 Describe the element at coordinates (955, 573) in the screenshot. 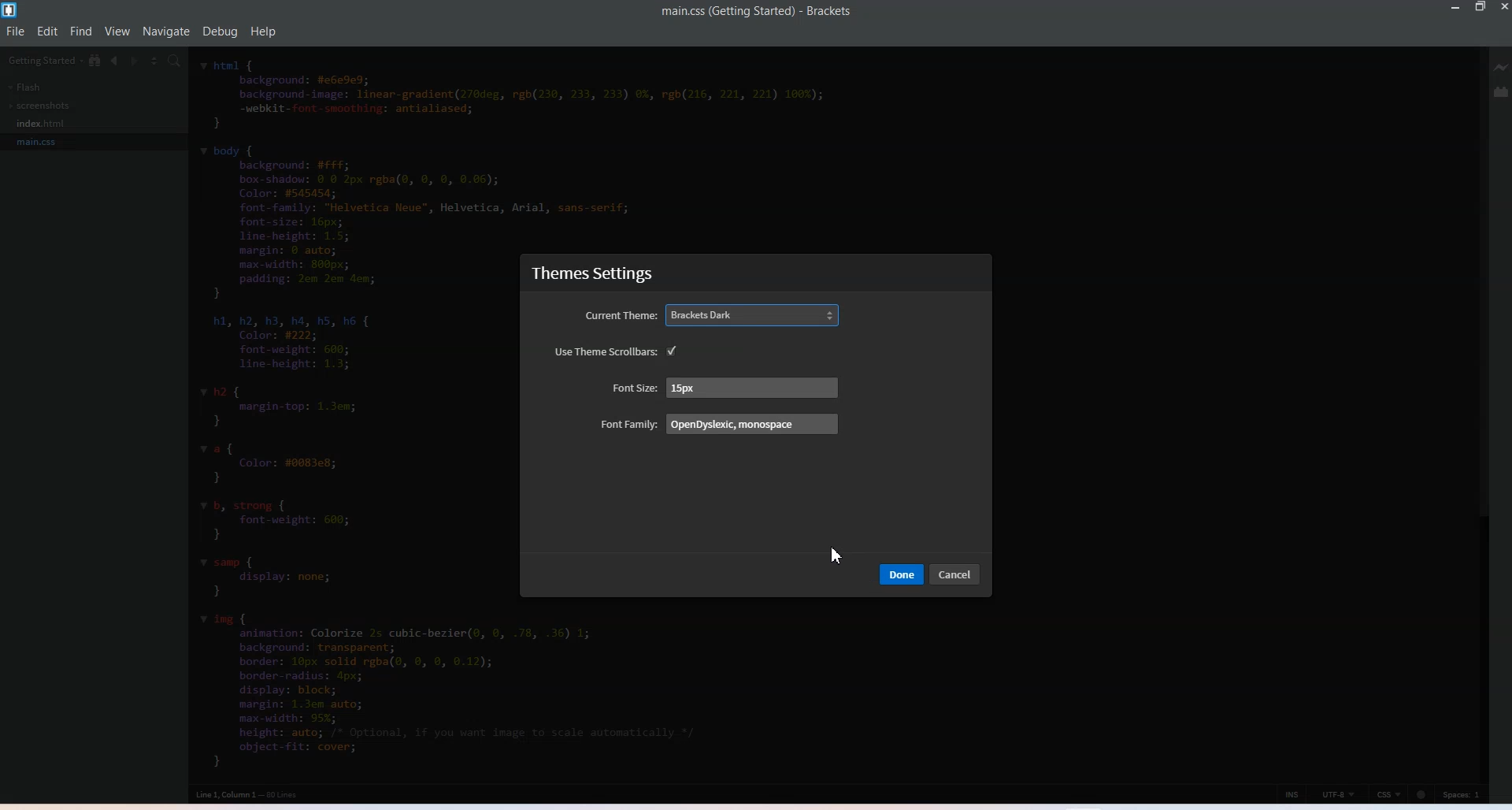

I see `cancel` at that location.